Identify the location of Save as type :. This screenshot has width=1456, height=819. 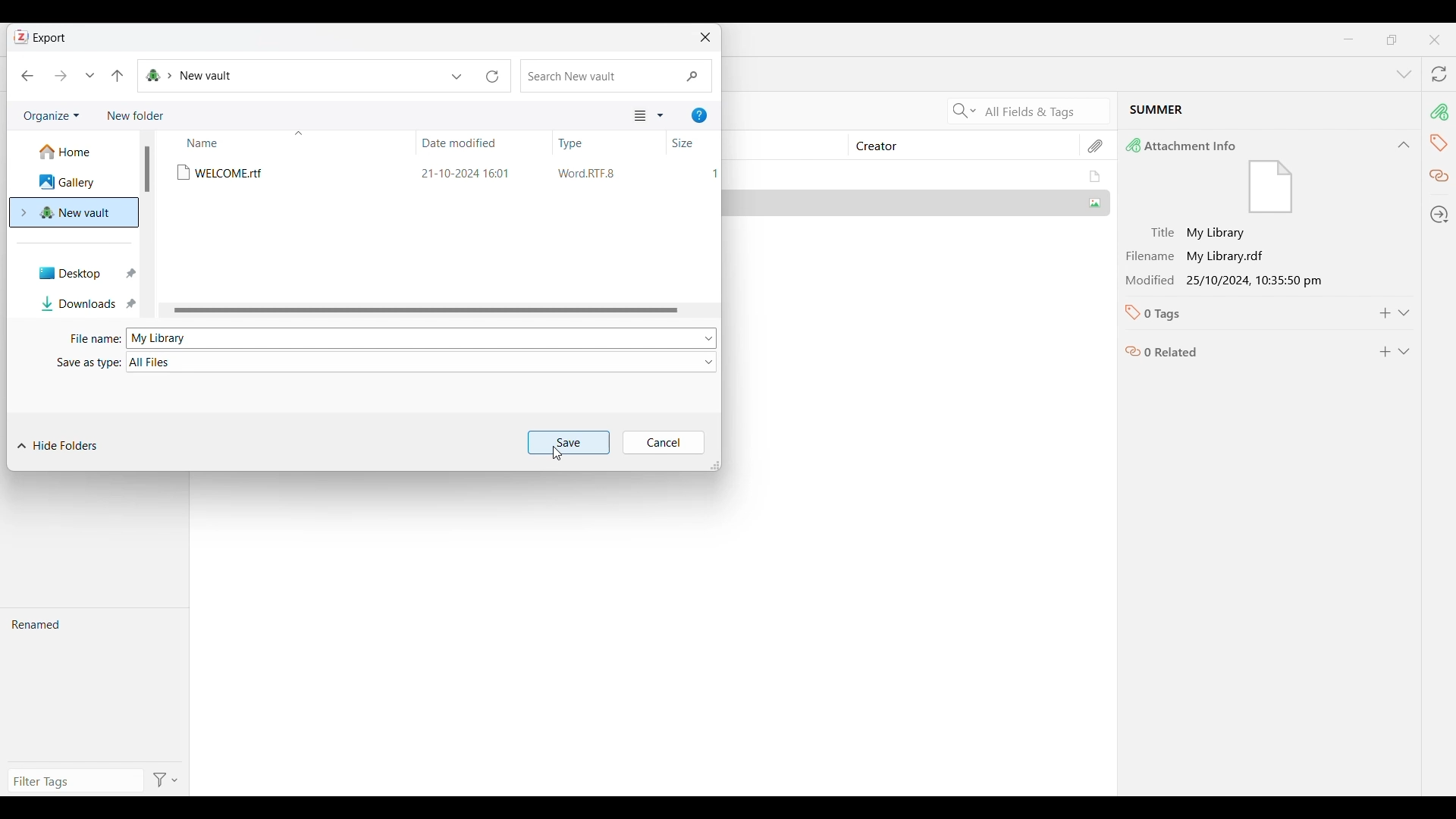
(85, 362).